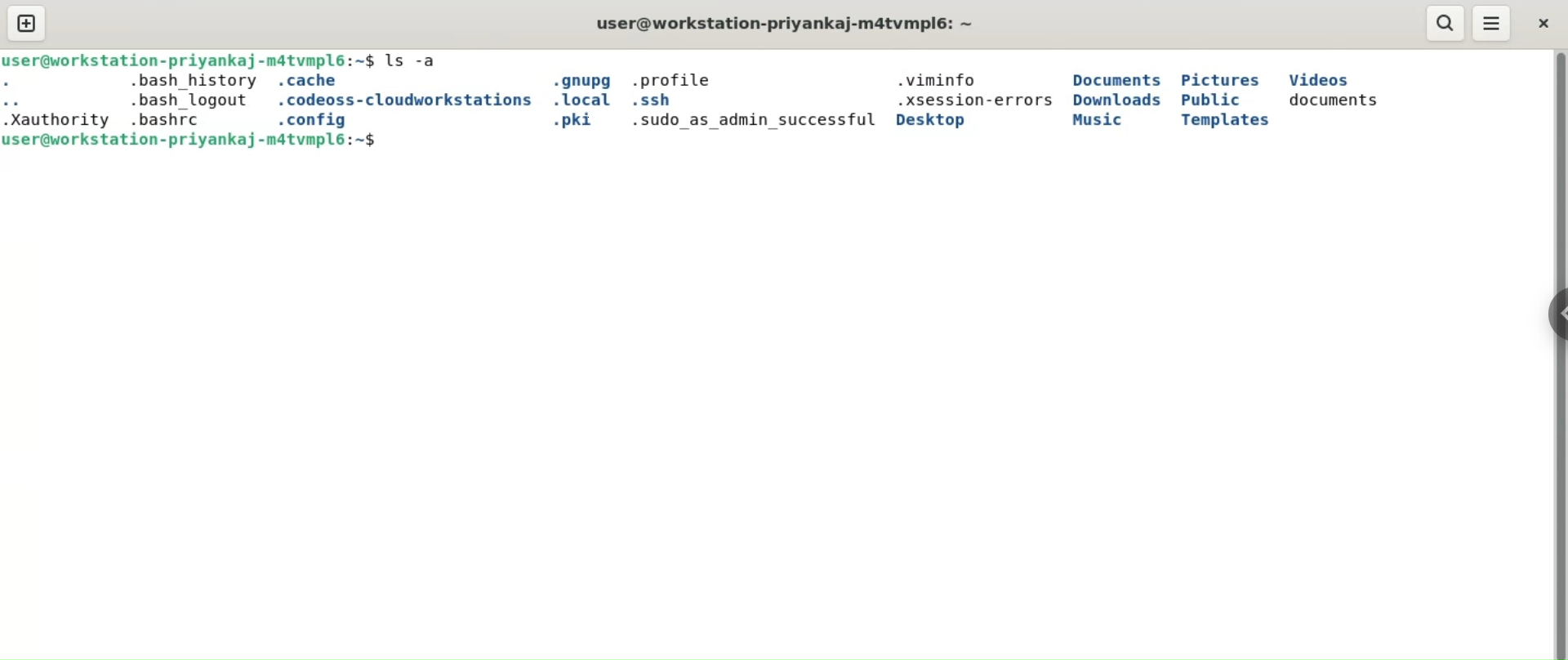 The width and height of the screenshot is (1568, 660). What do you see at coordinates (319, 81) in the screenshot?
I see `.cache` at bounding box center [319, 81].